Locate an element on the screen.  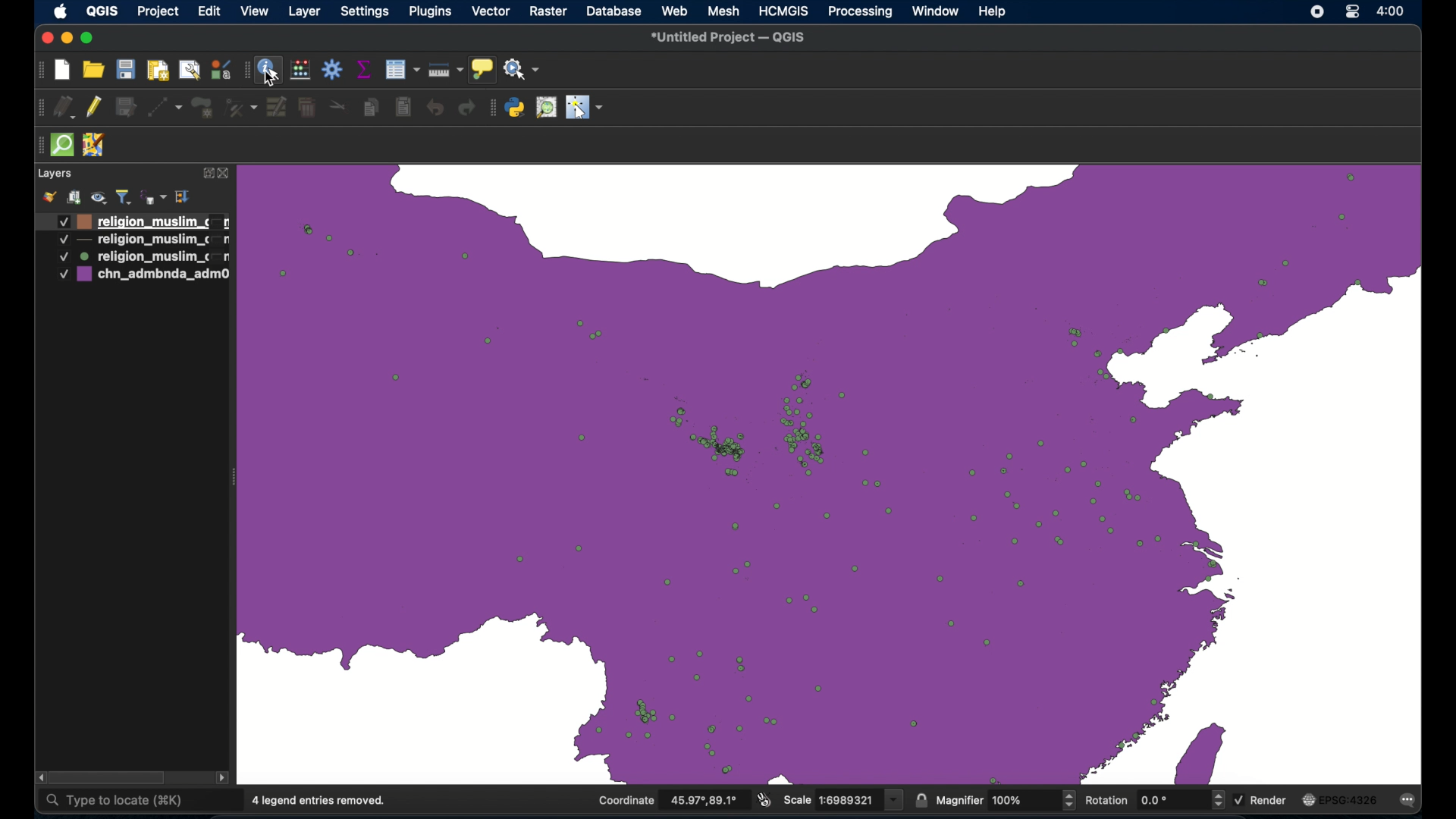
current edits is located at coordinates (66, 108).